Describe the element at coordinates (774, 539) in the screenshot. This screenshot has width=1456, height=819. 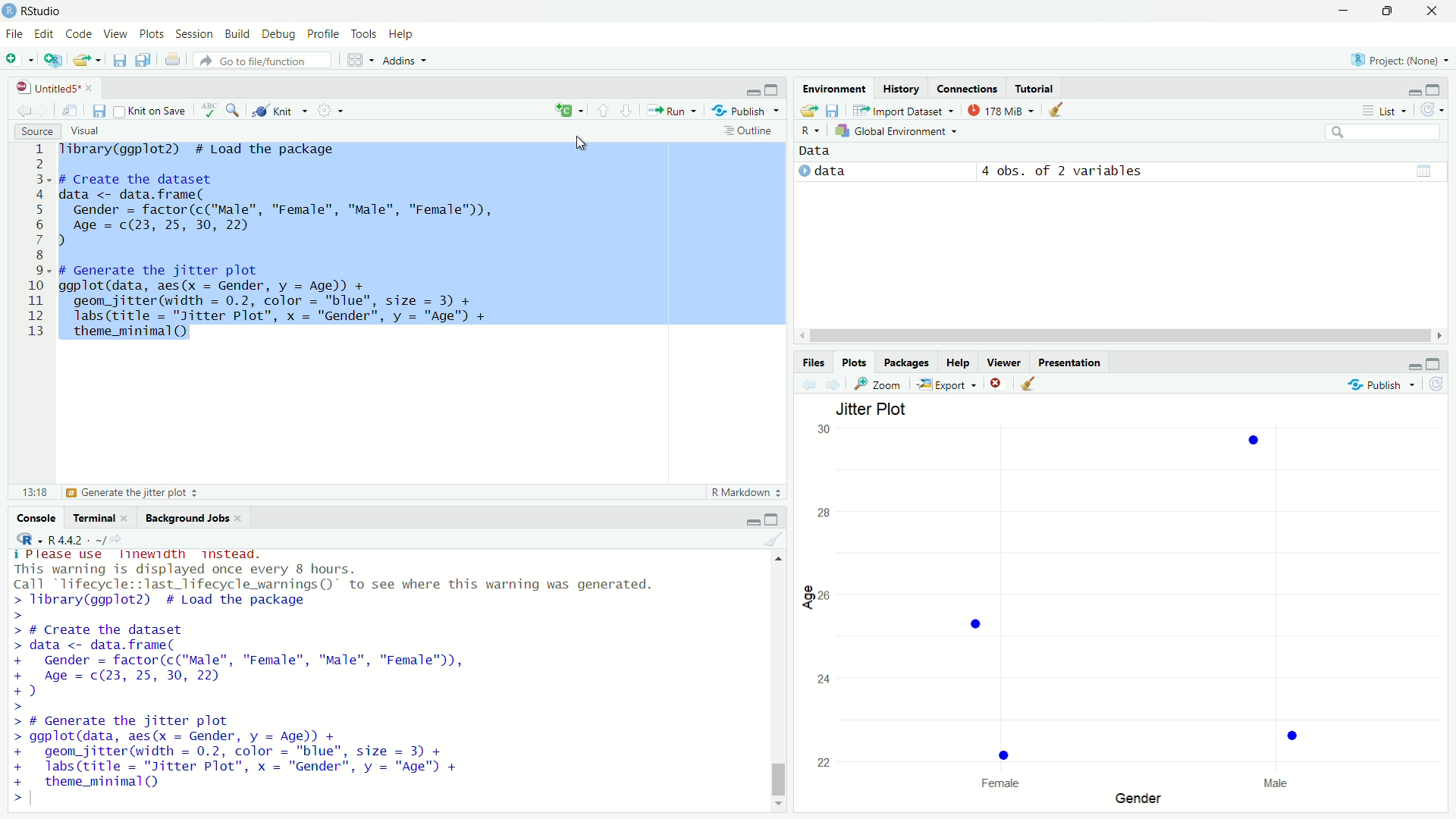
I see `clear console` at that location.